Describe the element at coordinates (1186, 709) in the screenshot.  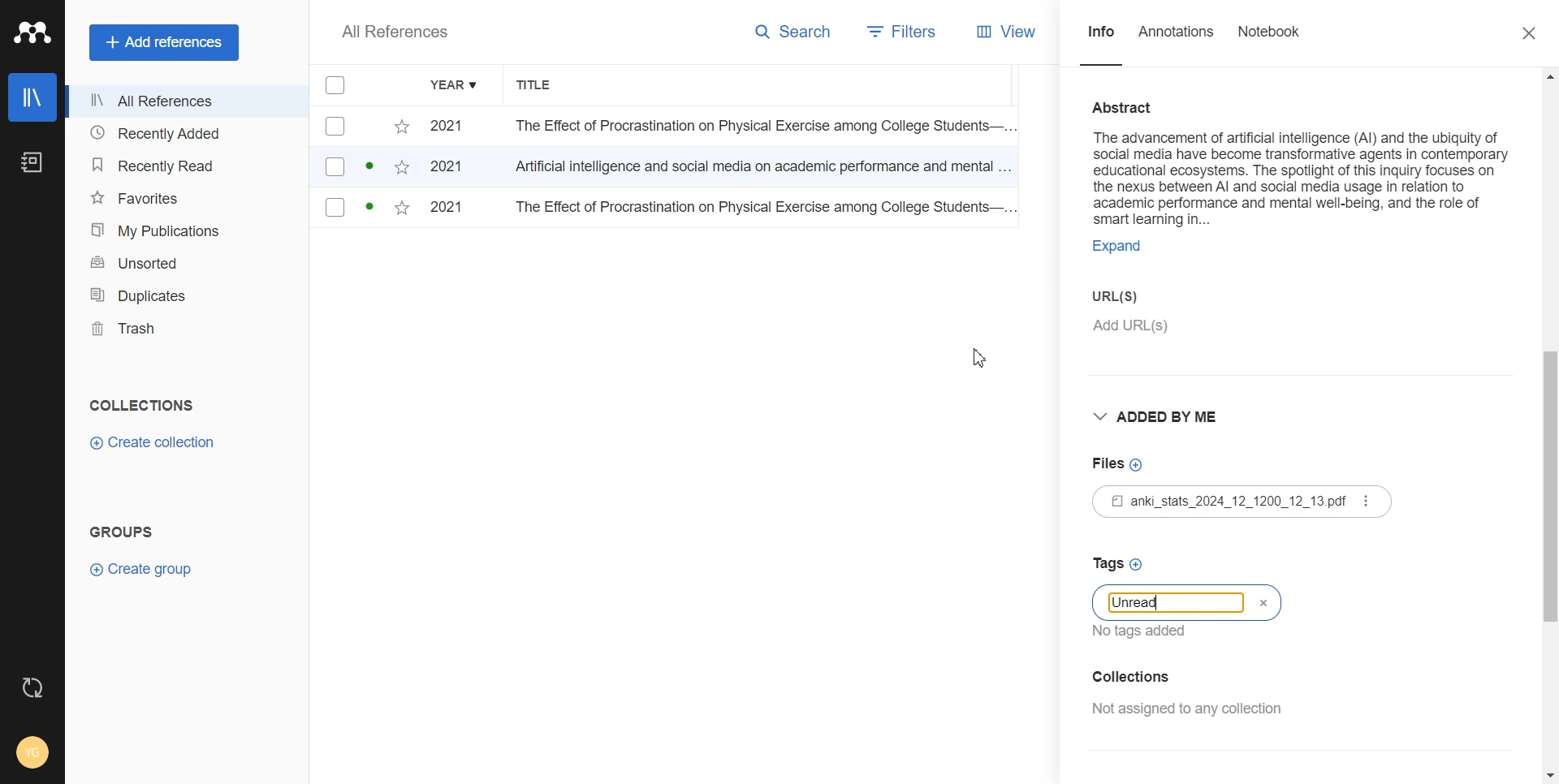
I see `Not assigned any collection` at that location.